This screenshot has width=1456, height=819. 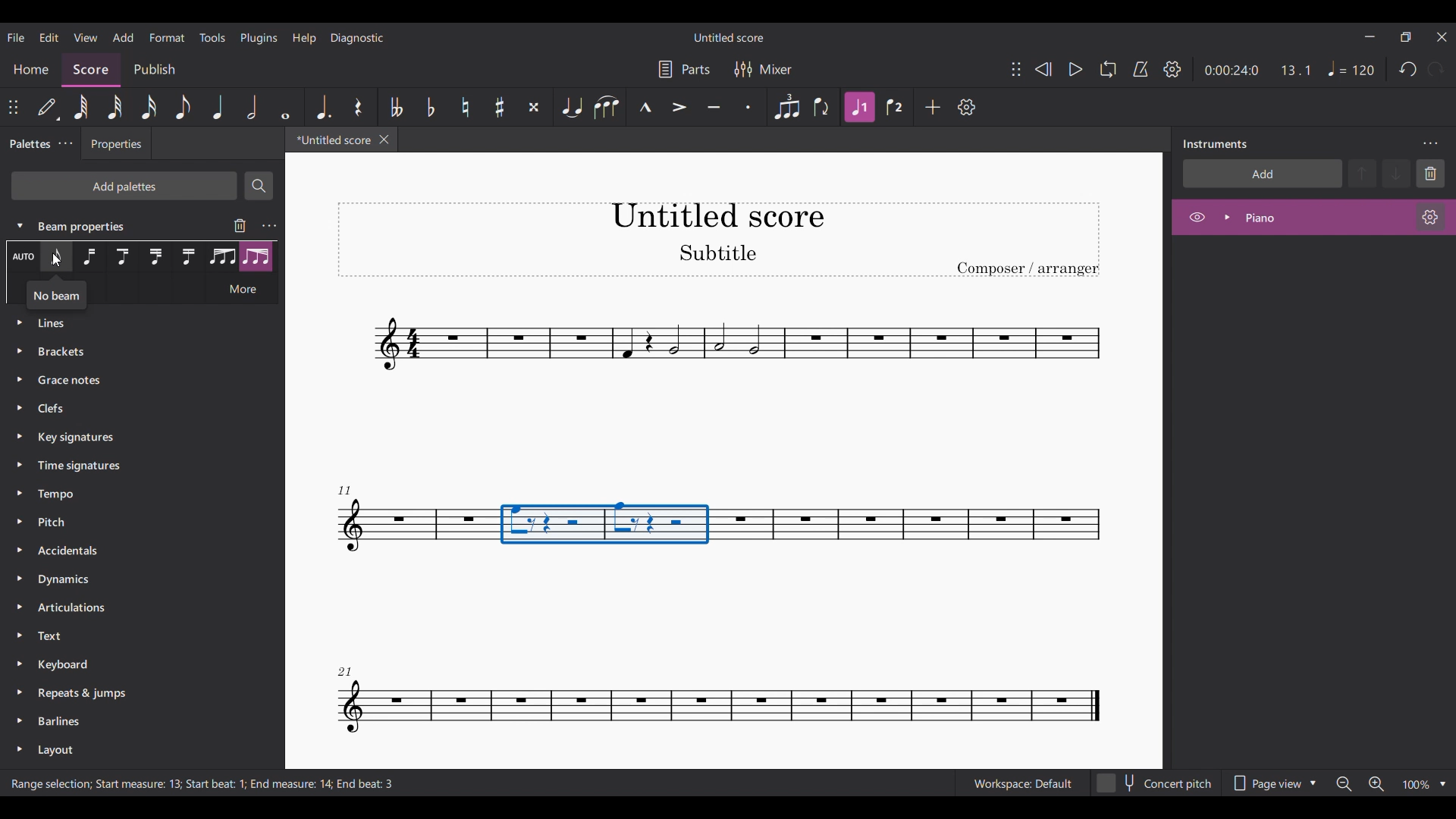 What do you see at coordinates (213, 37) in the screenshot?
I see `Tools menu` at bounding box center [213, 37].